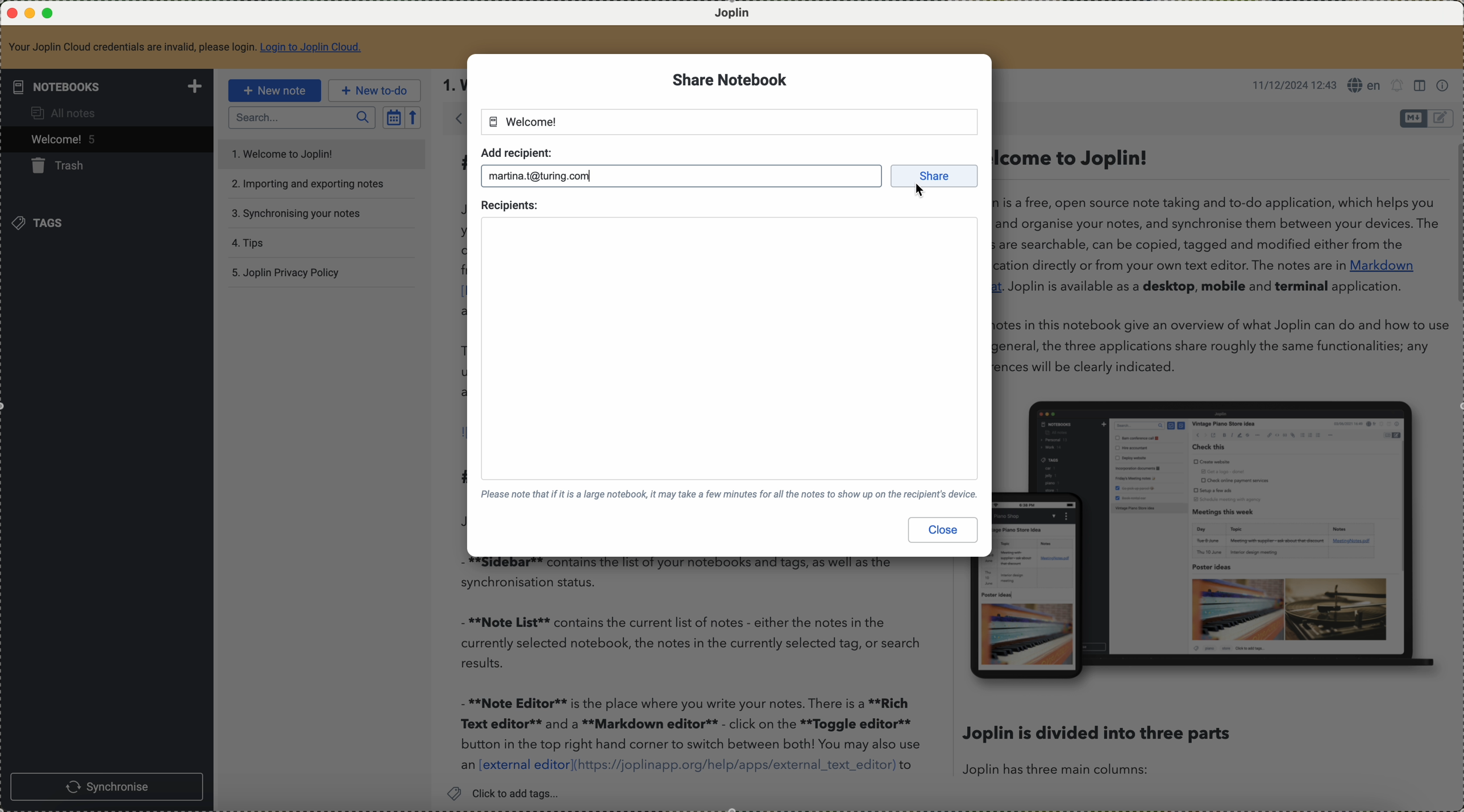 Image resolution: width=1464 pixels, height=812 pixels. What do you see at coordinates (64, 168) in the screenshot?
I see `trash` at bounding box center [64, 168].